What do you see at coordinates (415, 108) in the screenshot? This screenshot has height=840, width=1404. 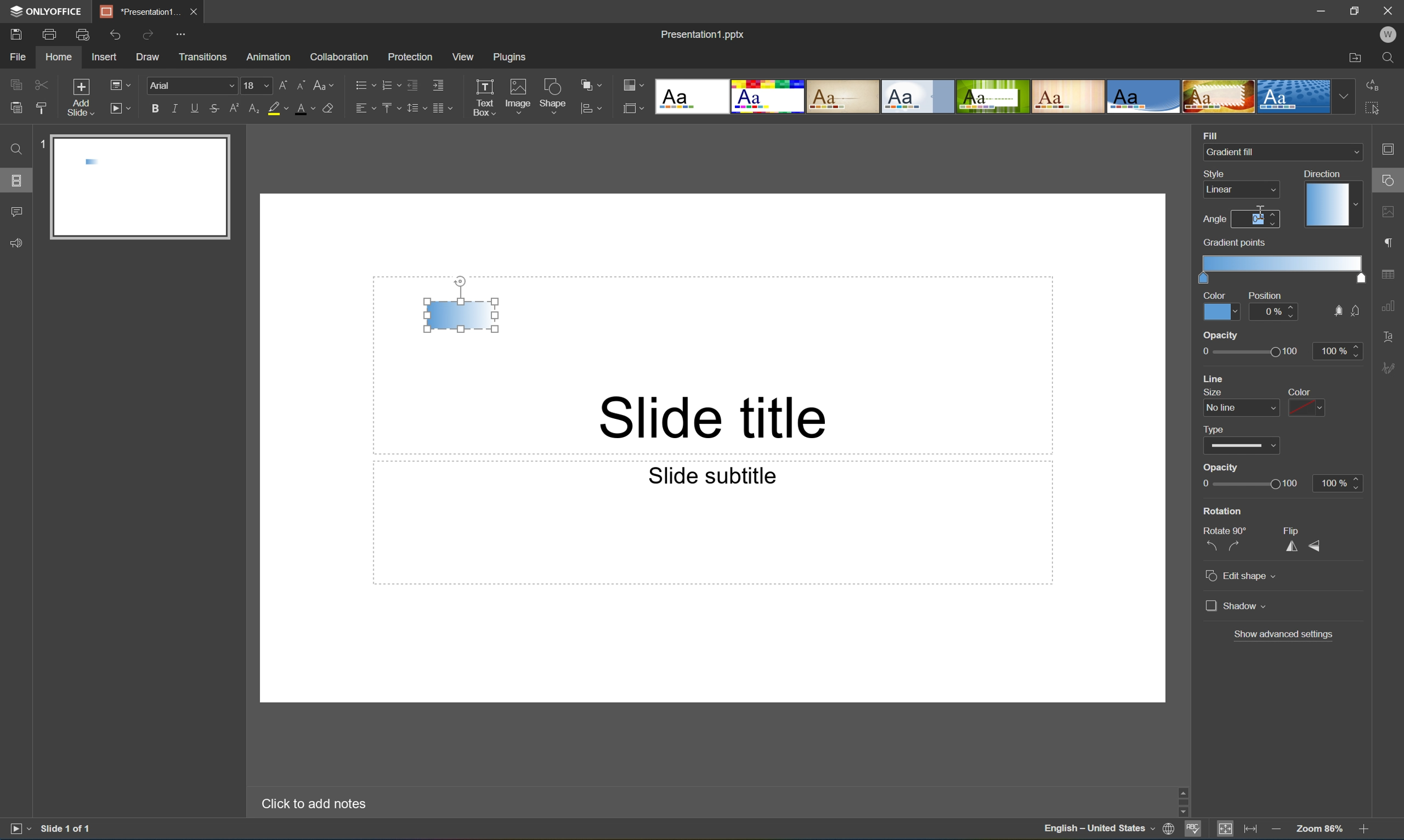 I see `Line spacing` at bounding box center [415, 108].